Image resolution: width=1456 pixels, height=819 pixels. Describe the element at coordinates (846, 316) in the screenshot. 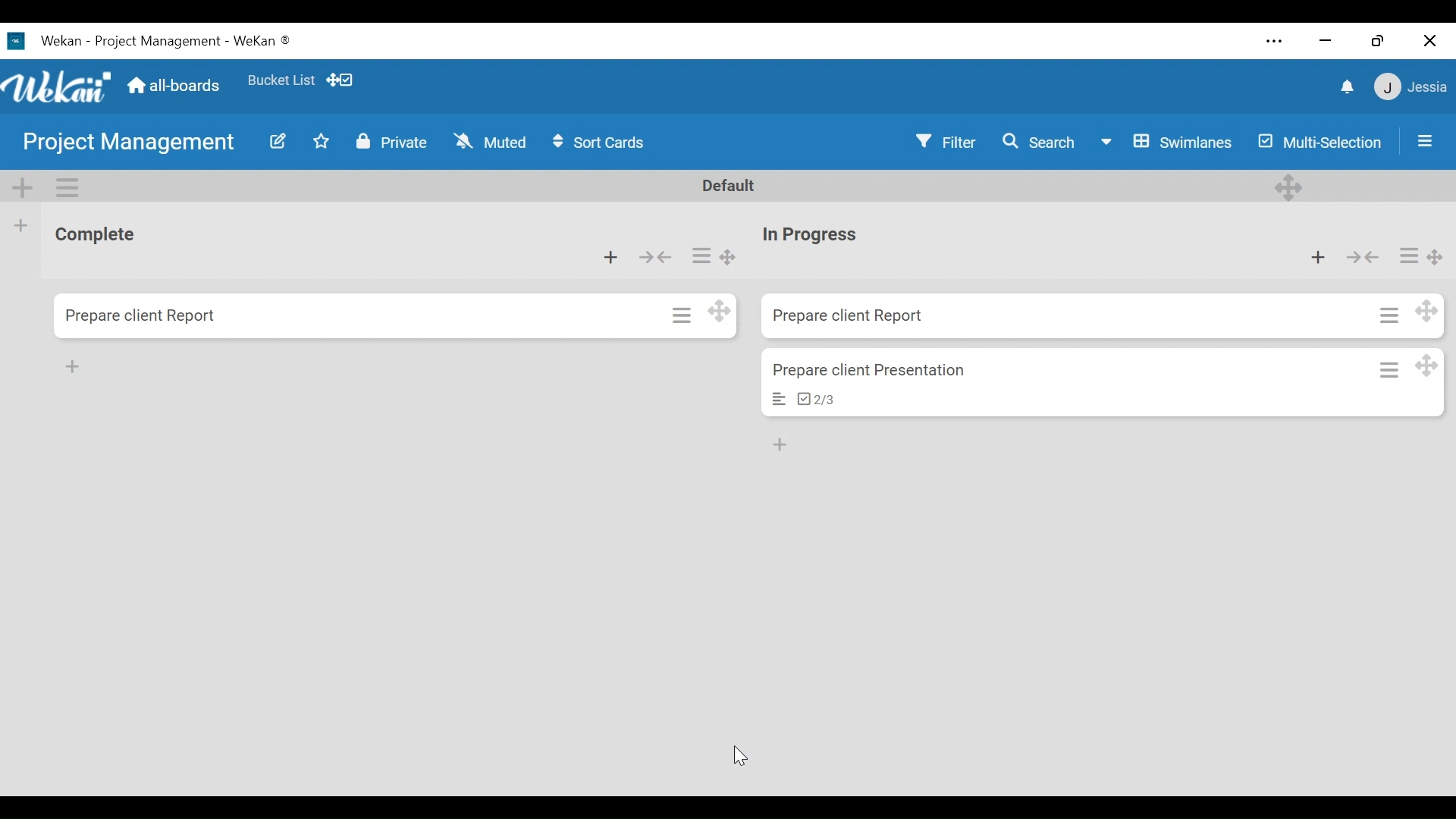

I see `Card Title` at that location.